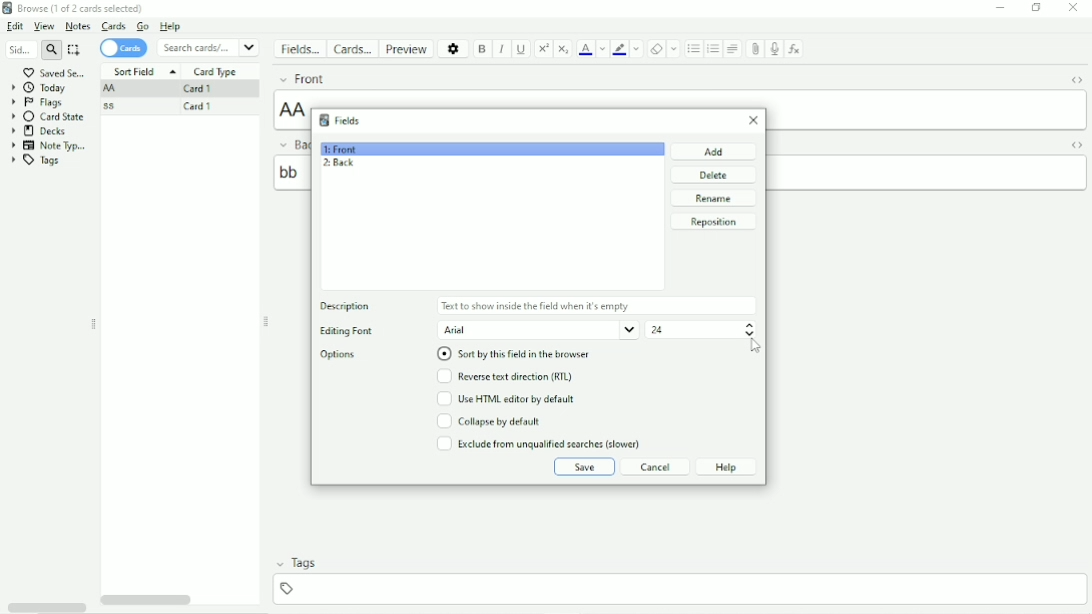 The height and width of the screenshot is (614, 1092). Describe the element at coordinates (636, 49) in the screenshot. I see `Change color` at that location.